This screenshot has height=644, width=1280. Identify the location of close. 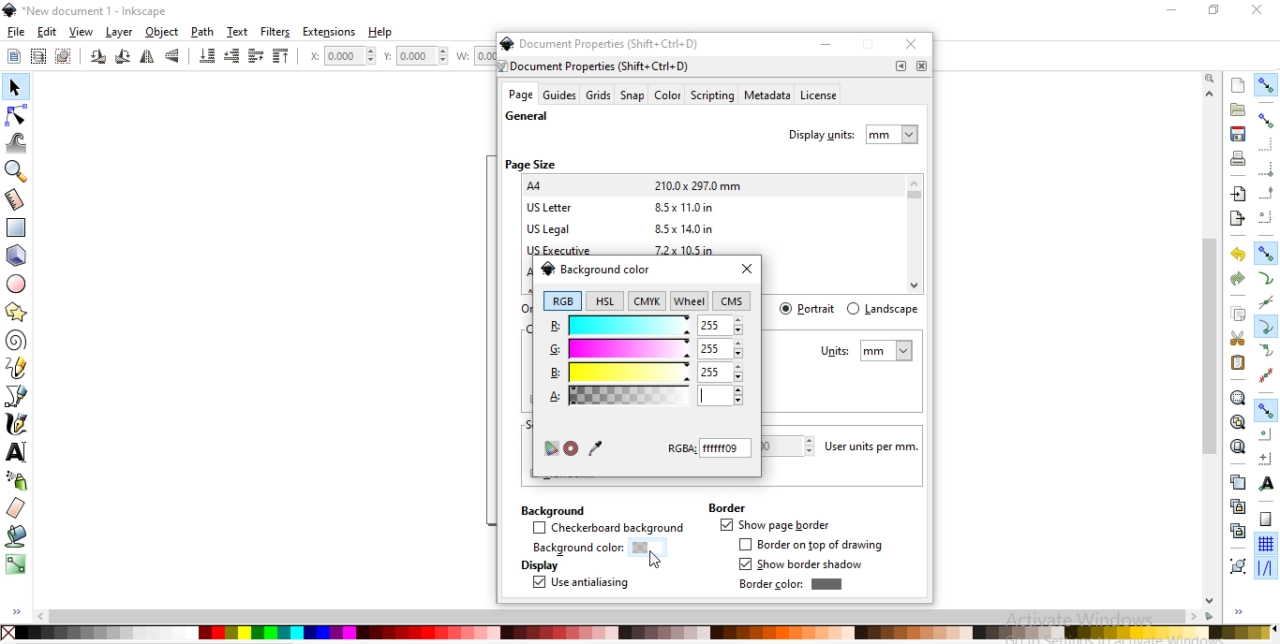
(914, 46).